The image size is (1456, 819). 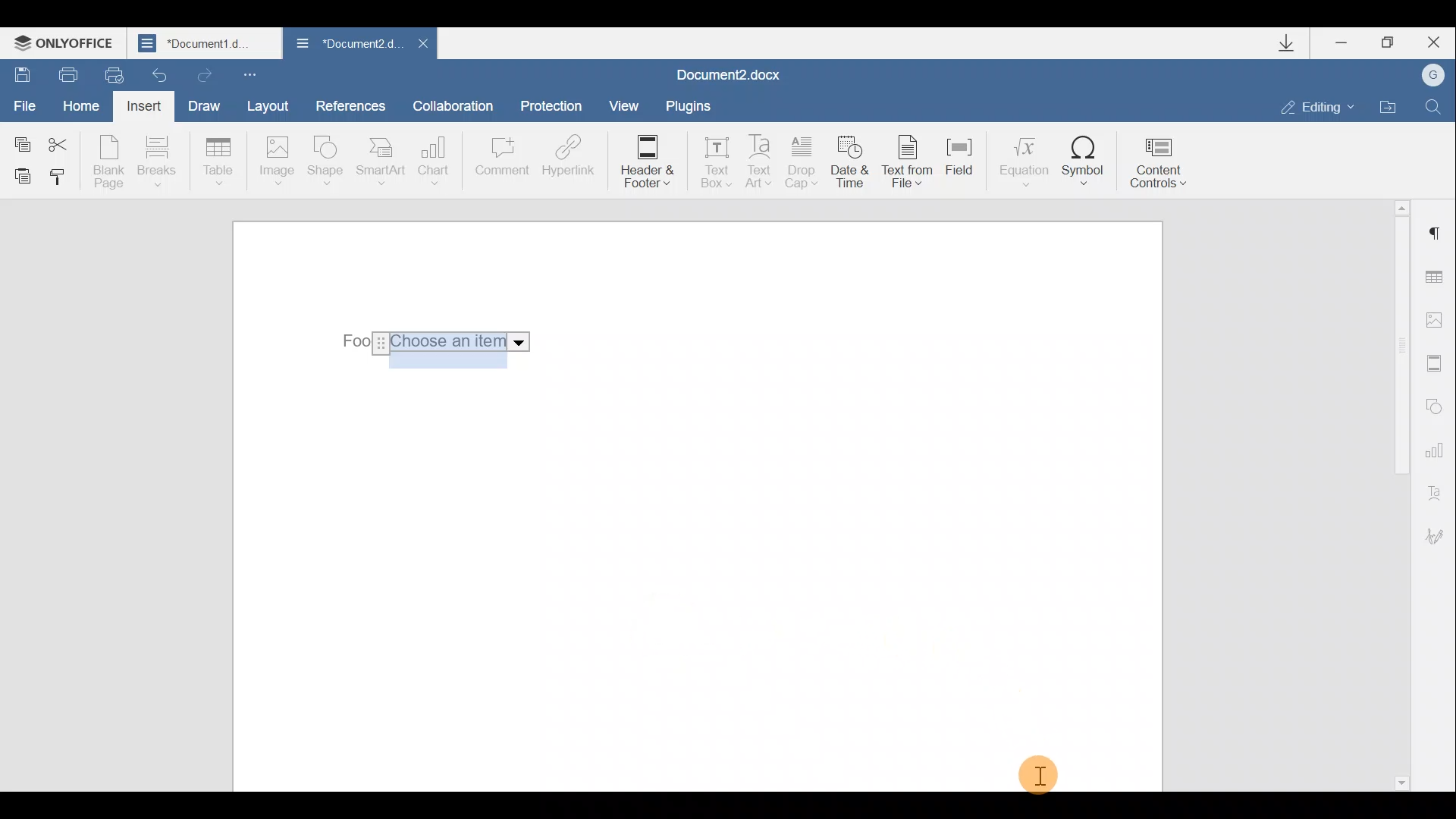 What do you see at coordinates (161, 71) in the screenshot?
I see `Undo` at bounding box center [161, 71].